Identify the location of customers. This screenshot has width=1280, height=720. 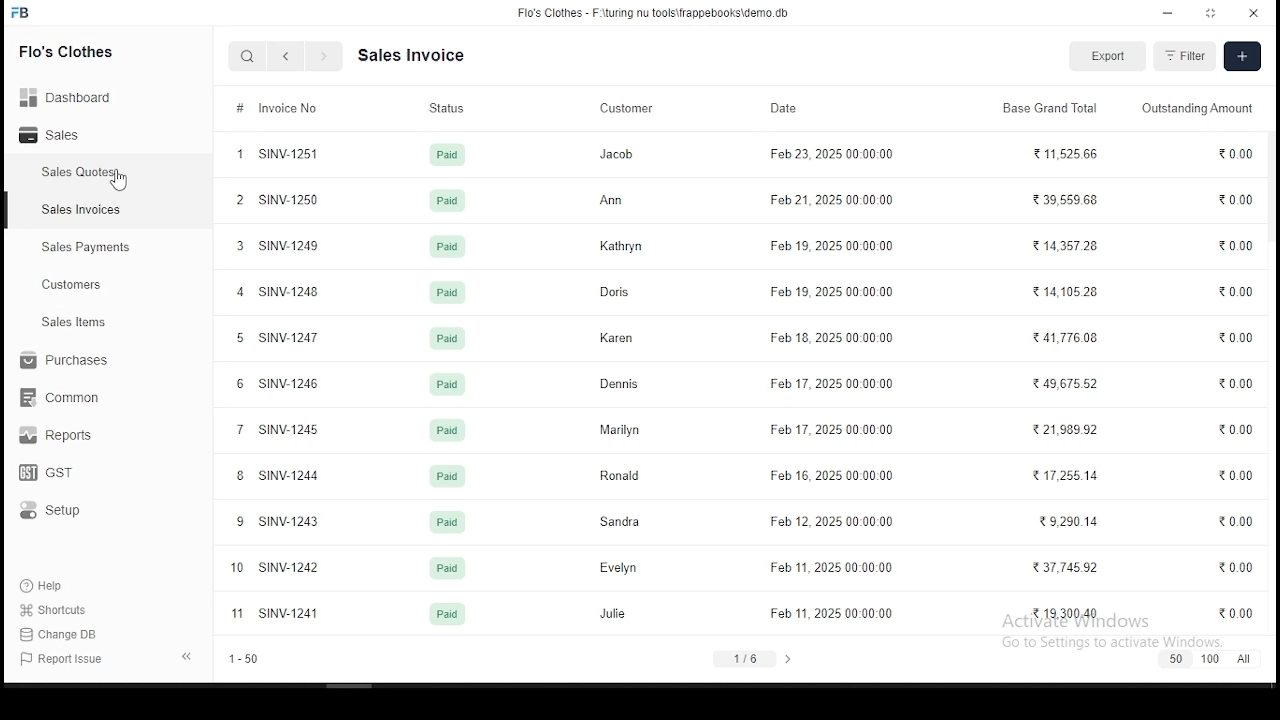
(75, 285).